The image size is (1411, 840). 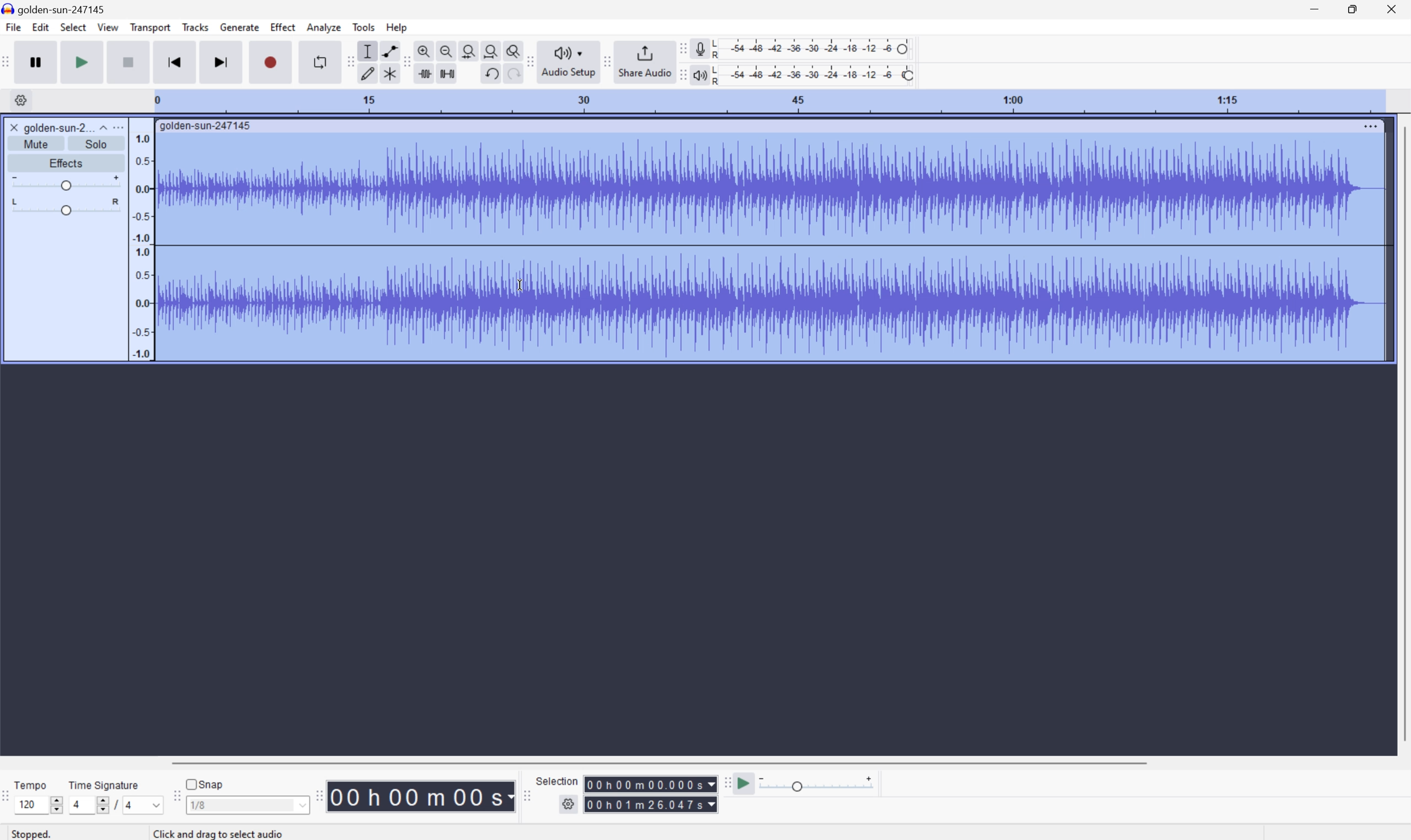 I want to click on Zoom out, so click(x=447, y=49).